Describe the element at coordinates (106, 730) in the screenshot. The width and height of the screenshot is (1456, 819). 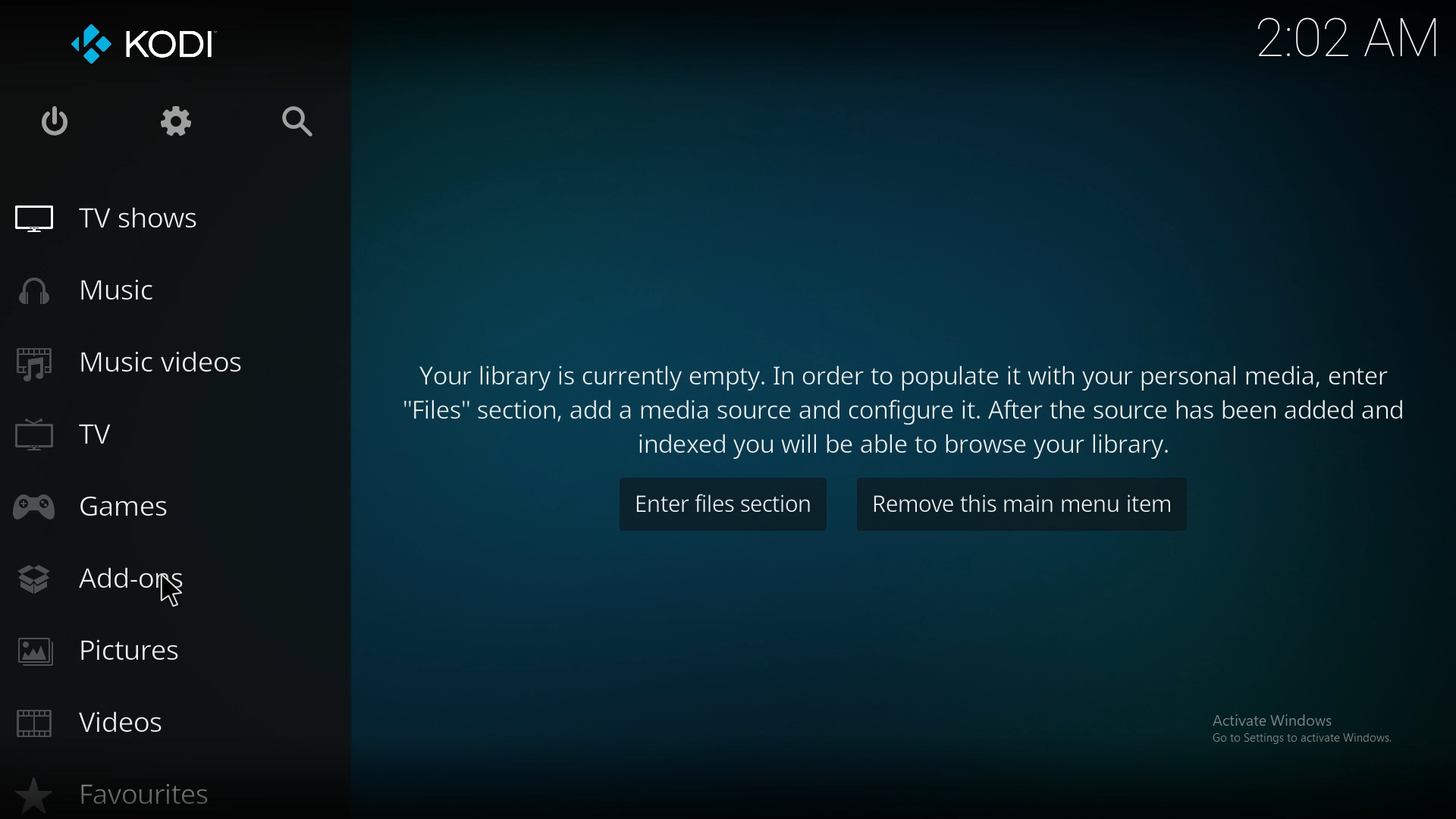
I see `videos` at that location.